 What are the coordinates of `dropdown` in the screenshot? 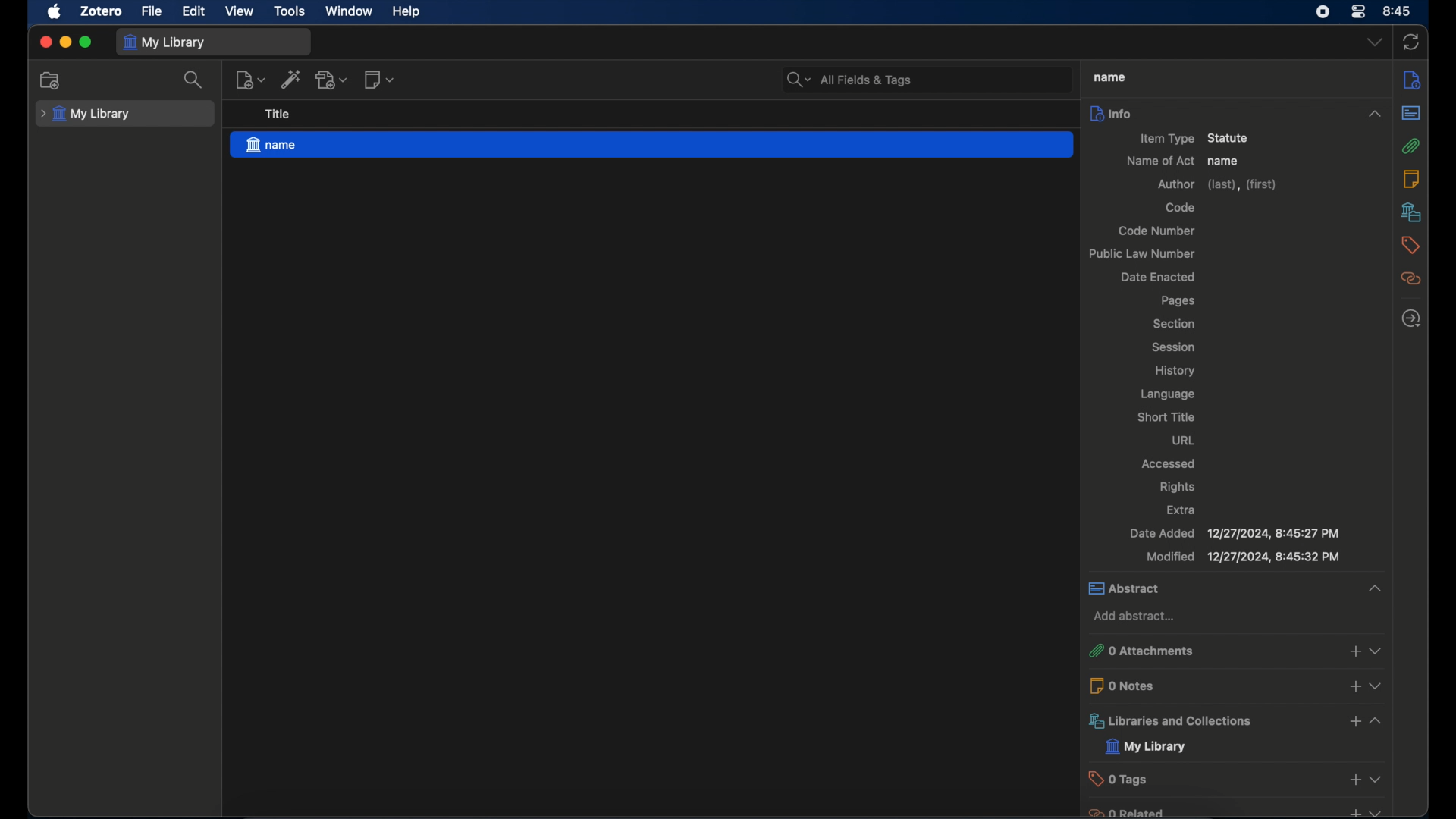 It's located at (1376, 686).